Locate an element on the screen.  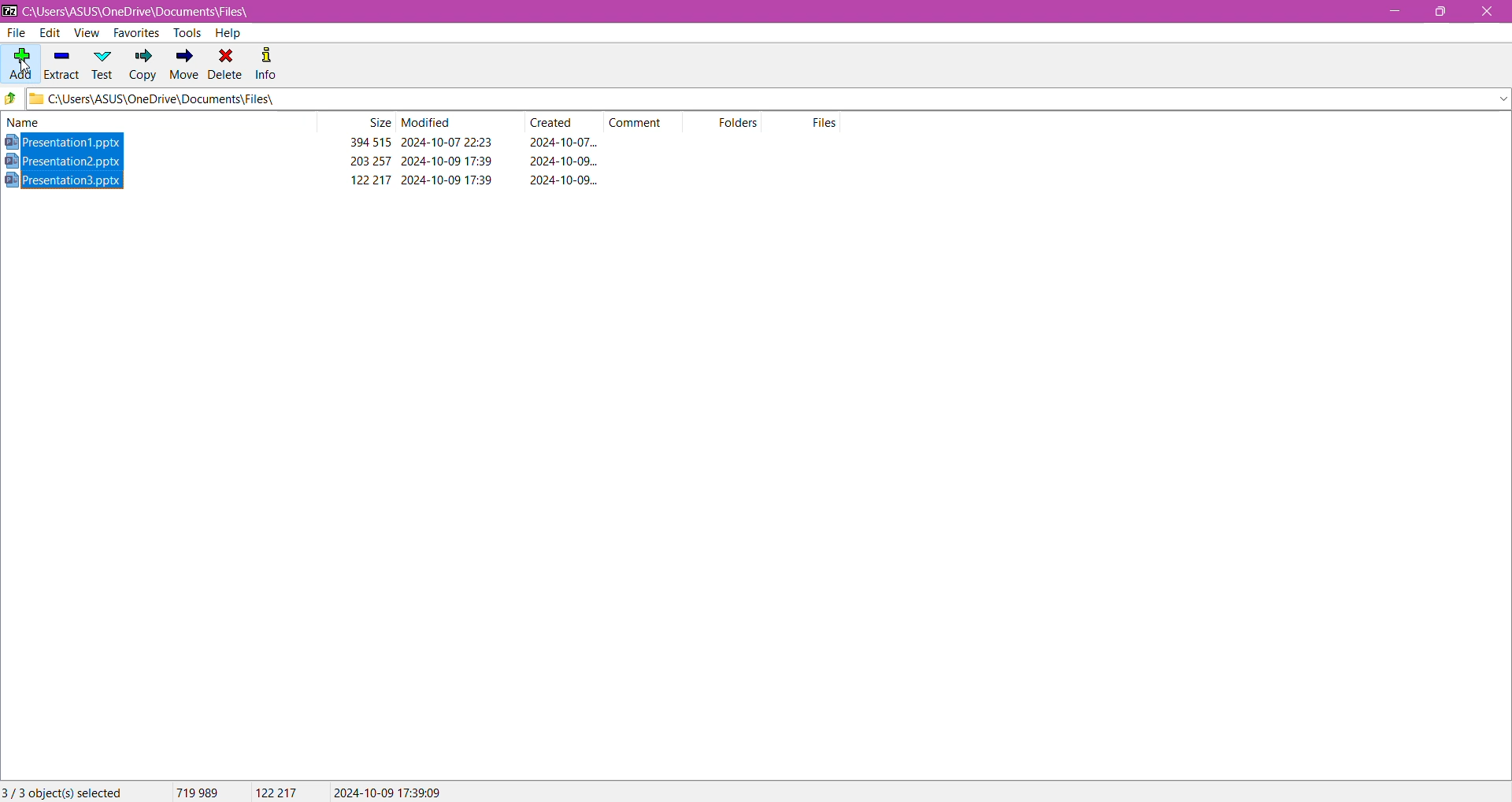
Modified is located at coordinates (428, 123).